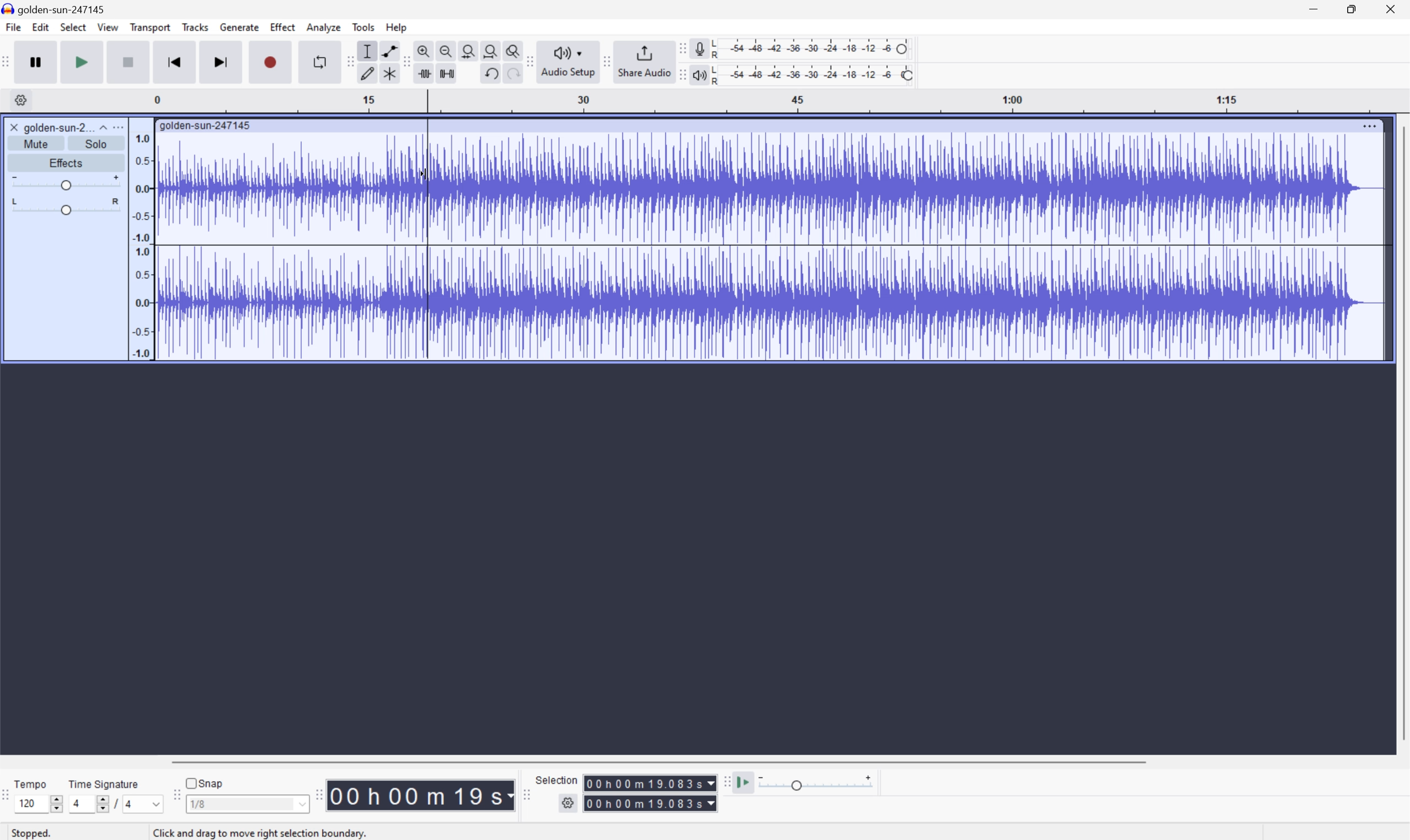 This screenshot has height=840, width=1410. What do you see at coordinates (323, 27) in the screenshot?
I see `Analyze` at bounding box center [323, 27].